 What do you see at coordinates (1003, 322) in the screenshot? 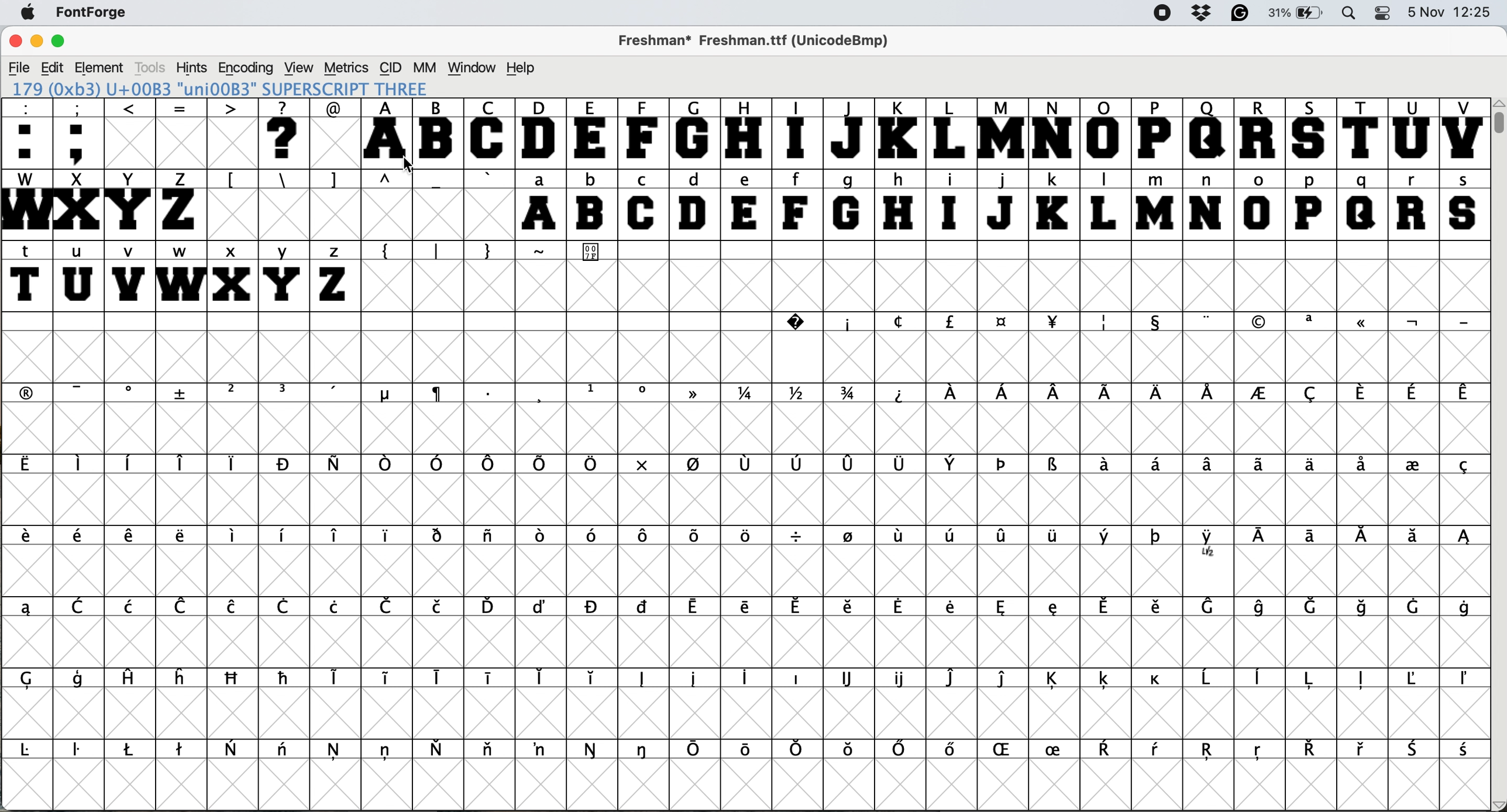
I see `symbol` at bounding box center [1003, 322].